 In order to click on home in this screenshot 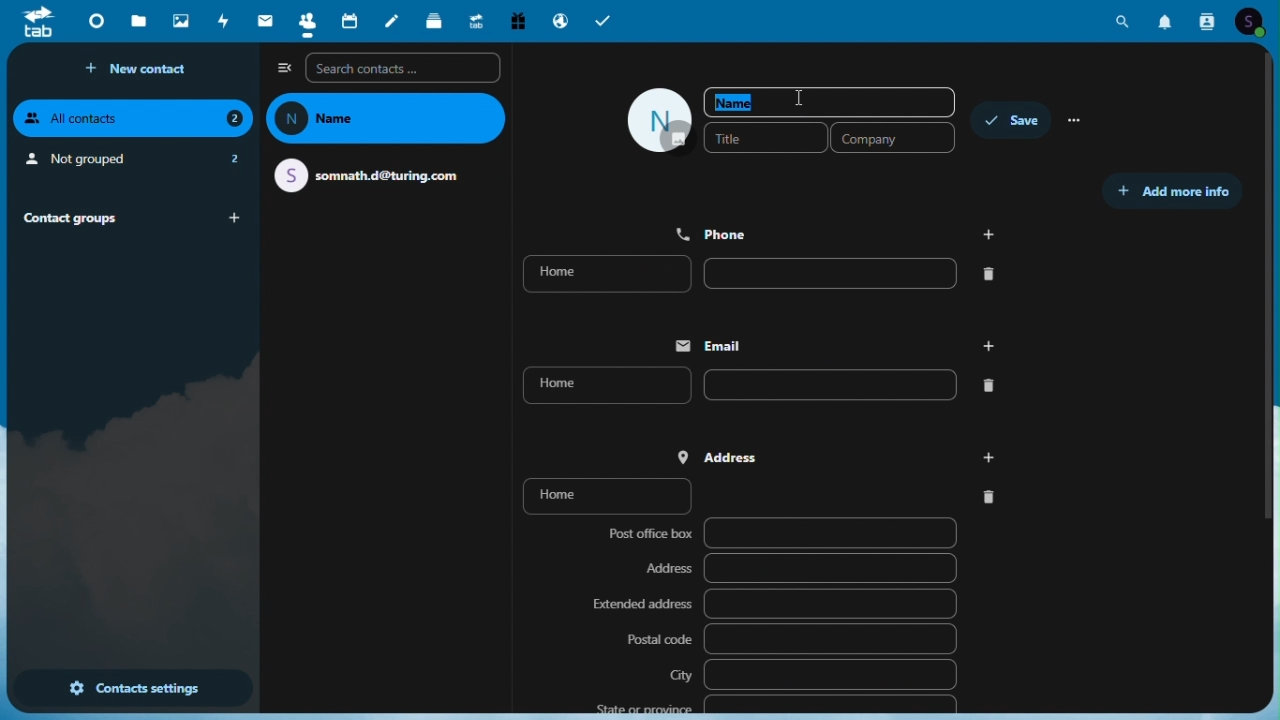, I will do `click(755, 384)`.